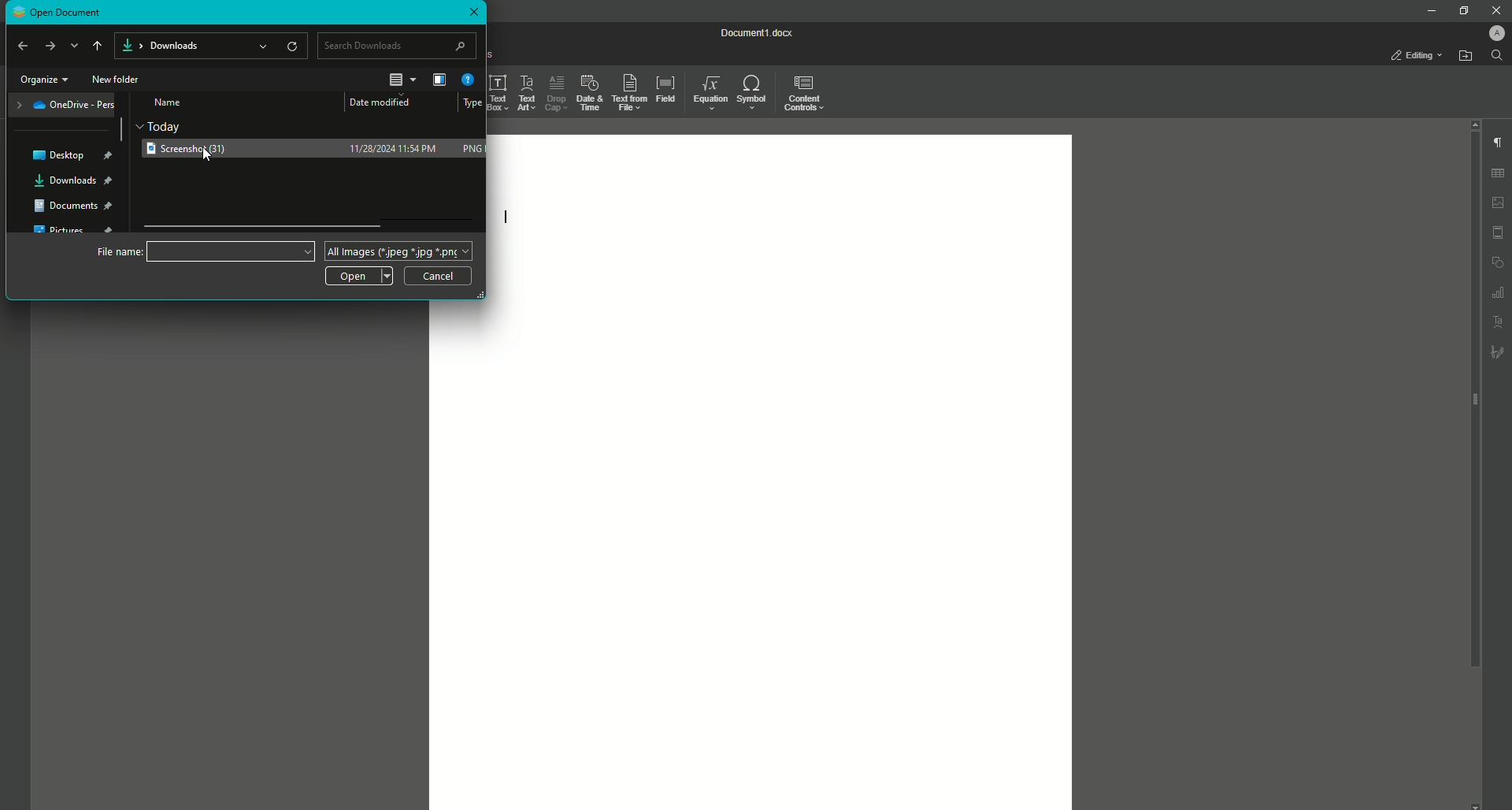  I want to click on help, so click(468, 80).